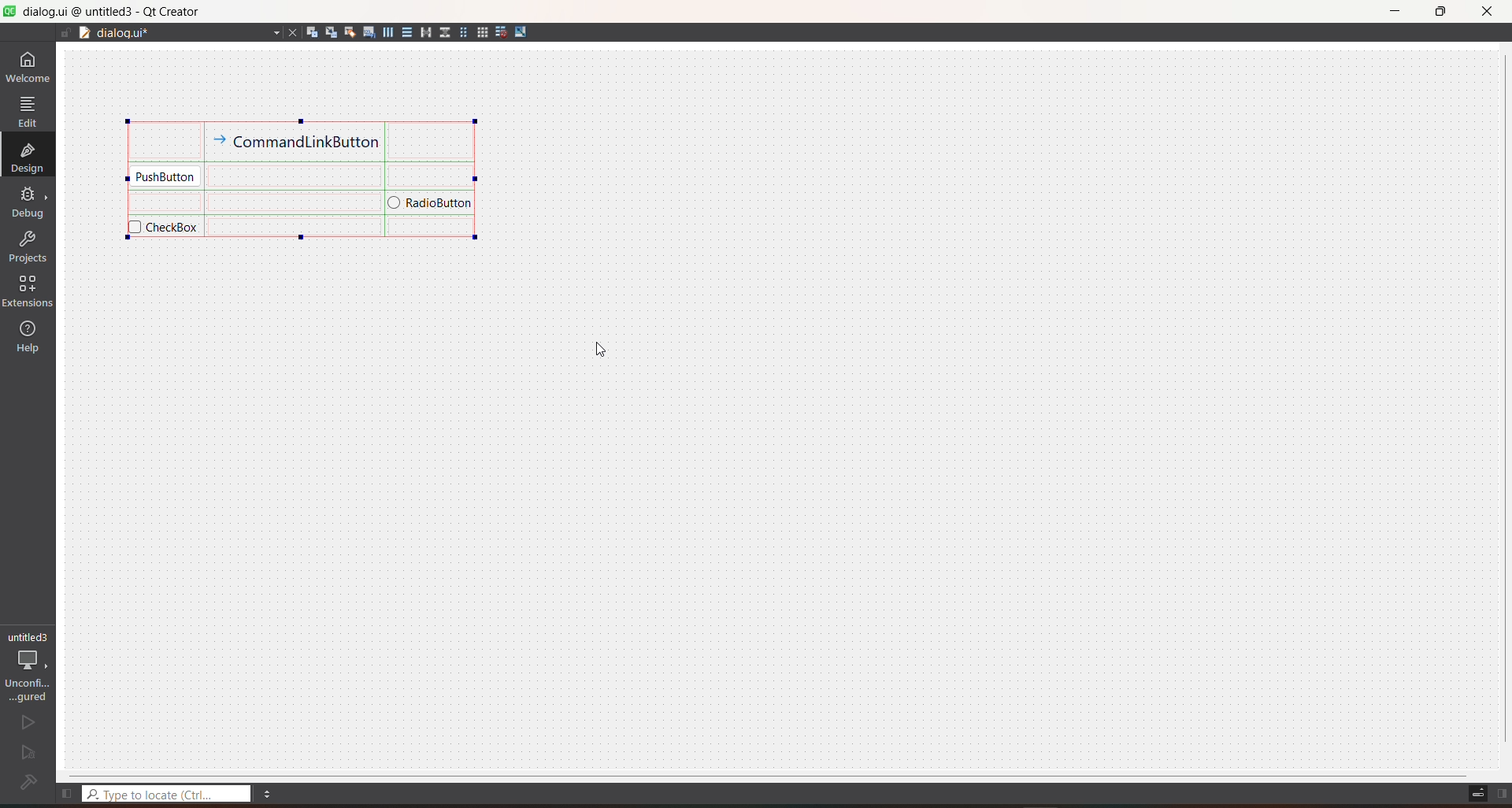  I want to click on design, so click(27, 157).